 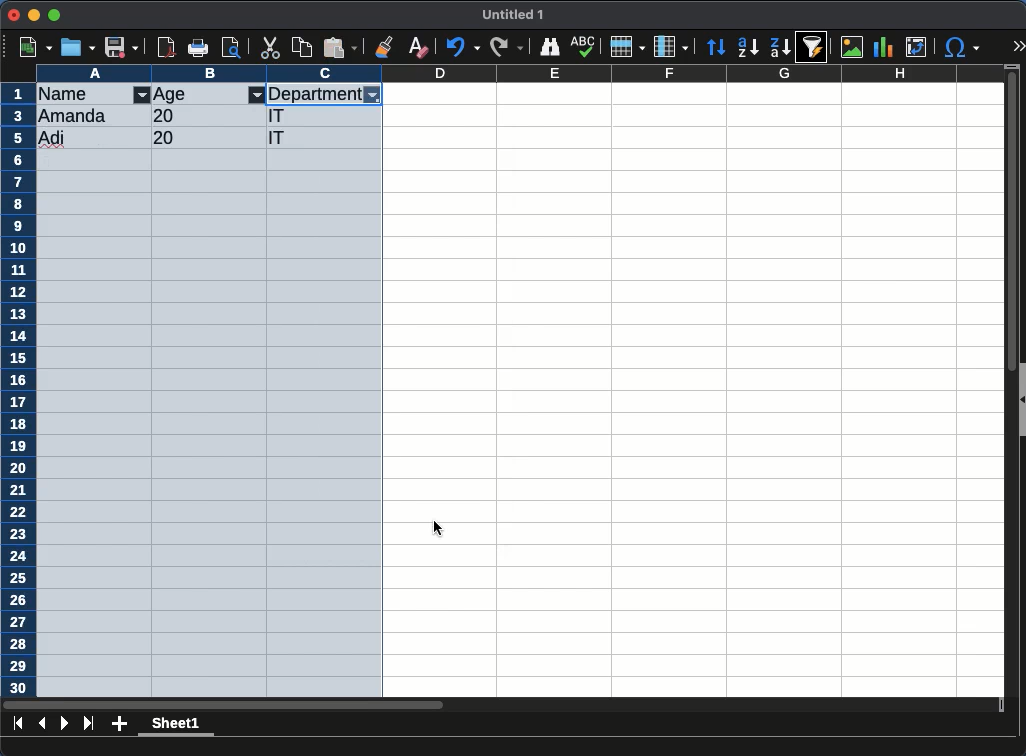 What do you see at coordinates (177, 726) in the screenshot?
I see `sheet 1` at bounding box center [177, 726].